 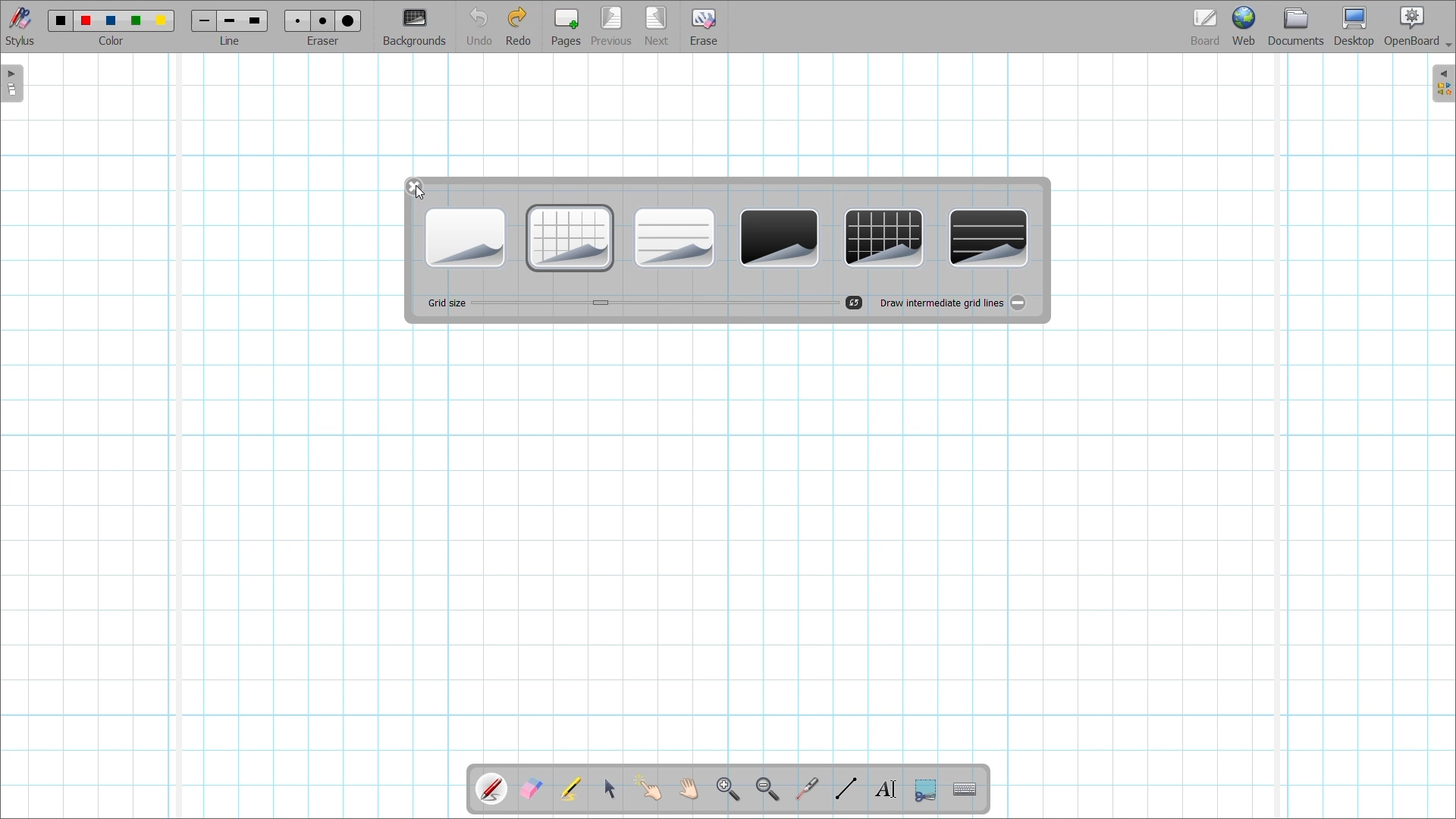 What do you see at coordinates (20, 27) in the screenshot?
I see `Show/Hide the stylus menu at the bottom` at bounding box center [20, 27].